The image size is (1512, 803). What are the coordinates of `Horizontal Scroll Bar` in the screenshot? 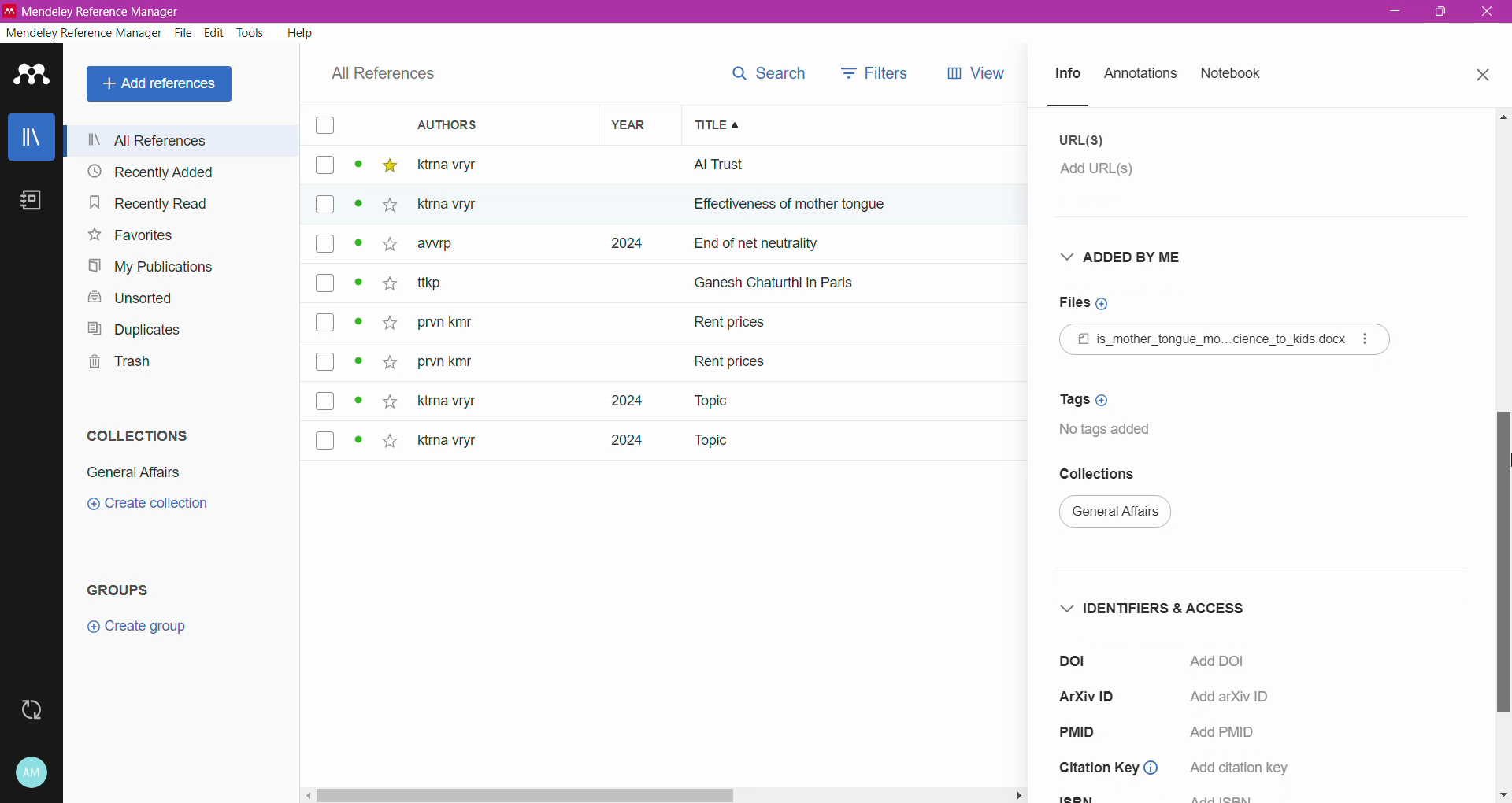 It's located at (662, 797).